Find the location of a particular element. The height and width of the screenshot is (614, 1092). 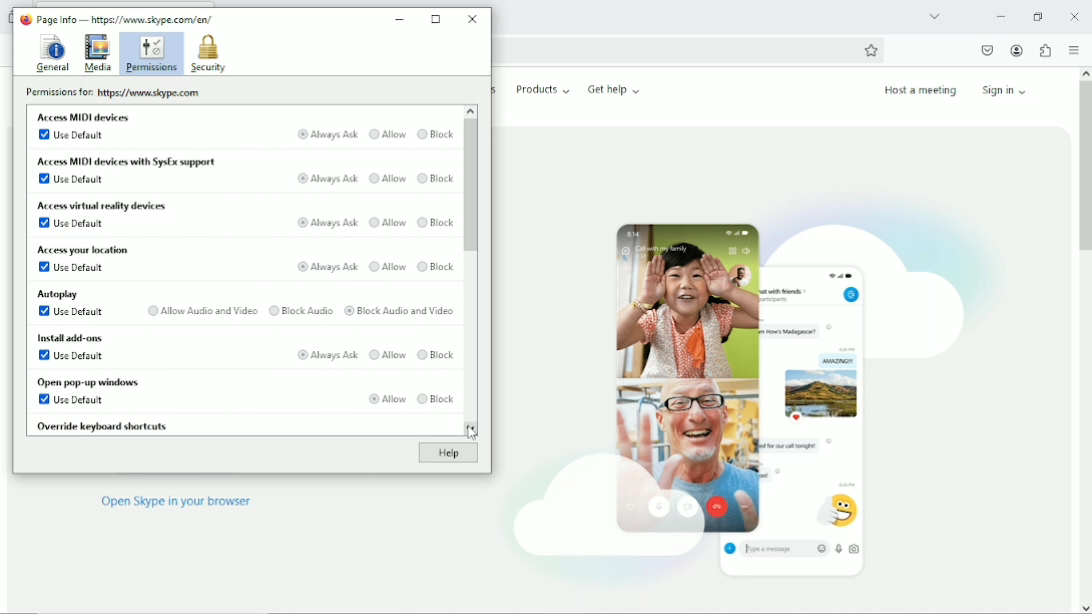

Media is located at coordinates (97, 53).